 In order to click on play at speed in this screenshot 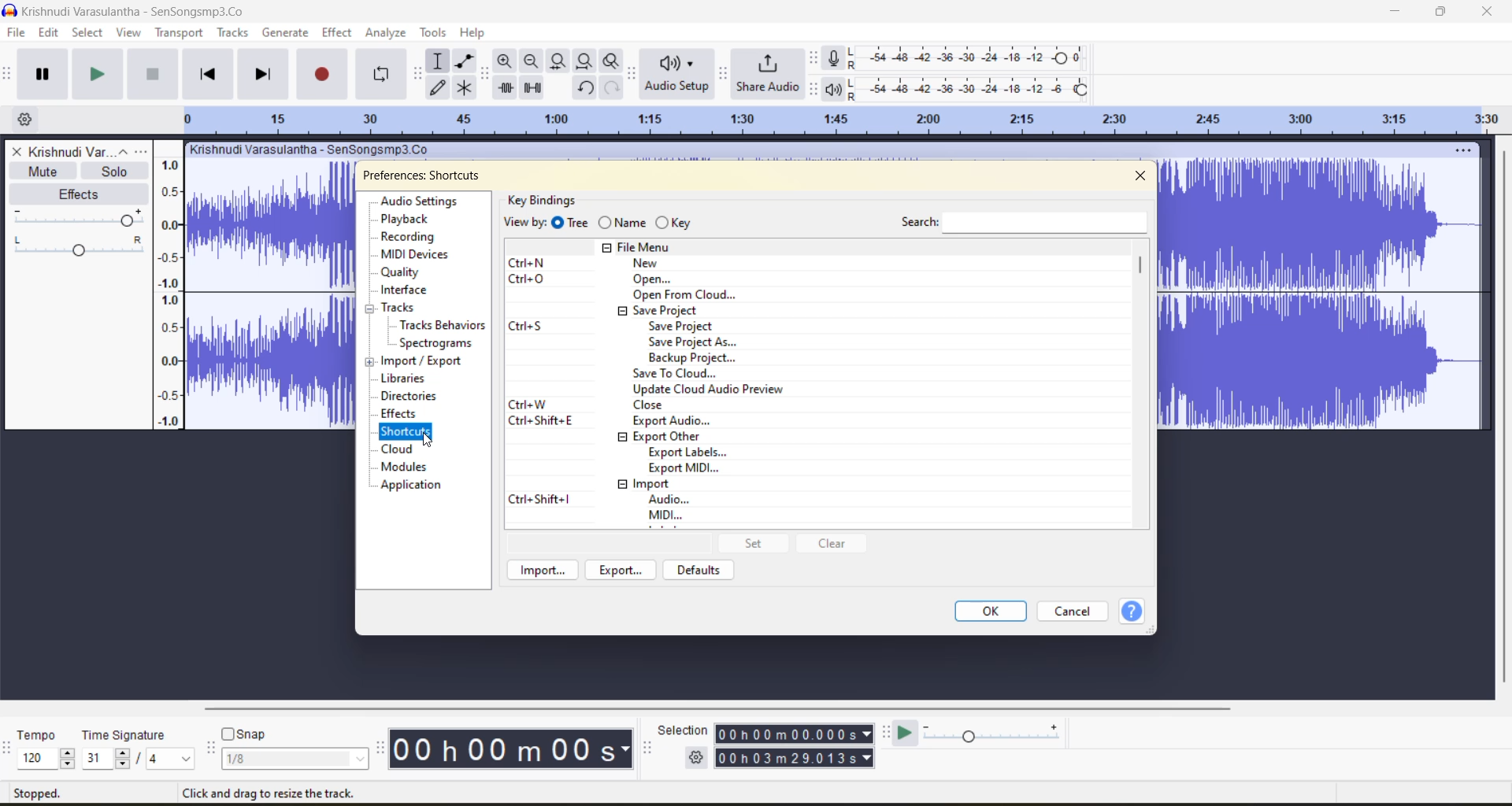, I will do `click(910, 732)`.